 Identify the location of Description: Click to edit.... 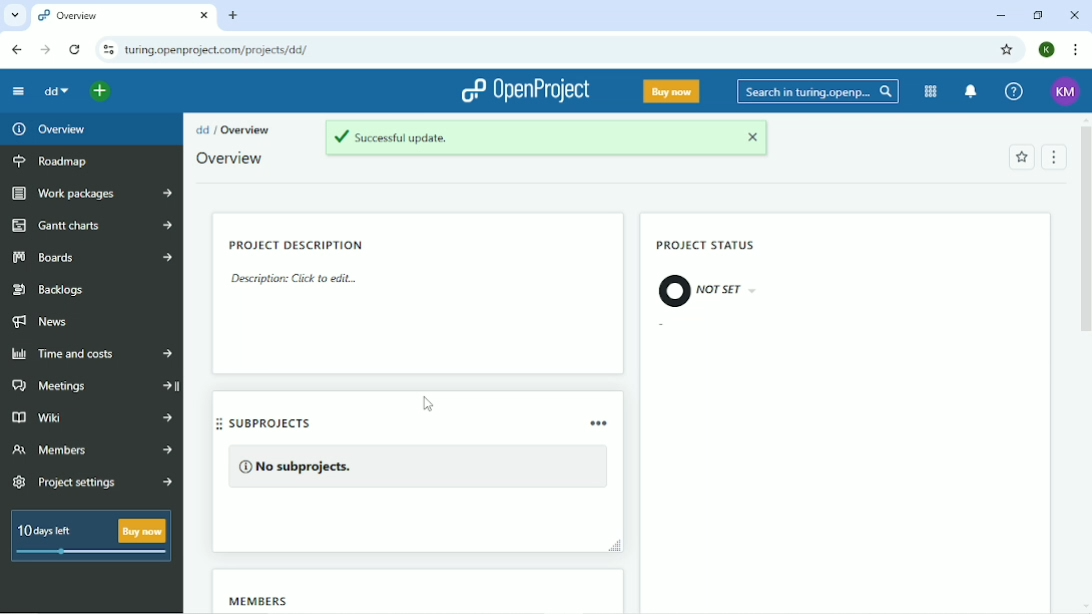
(293, 277).